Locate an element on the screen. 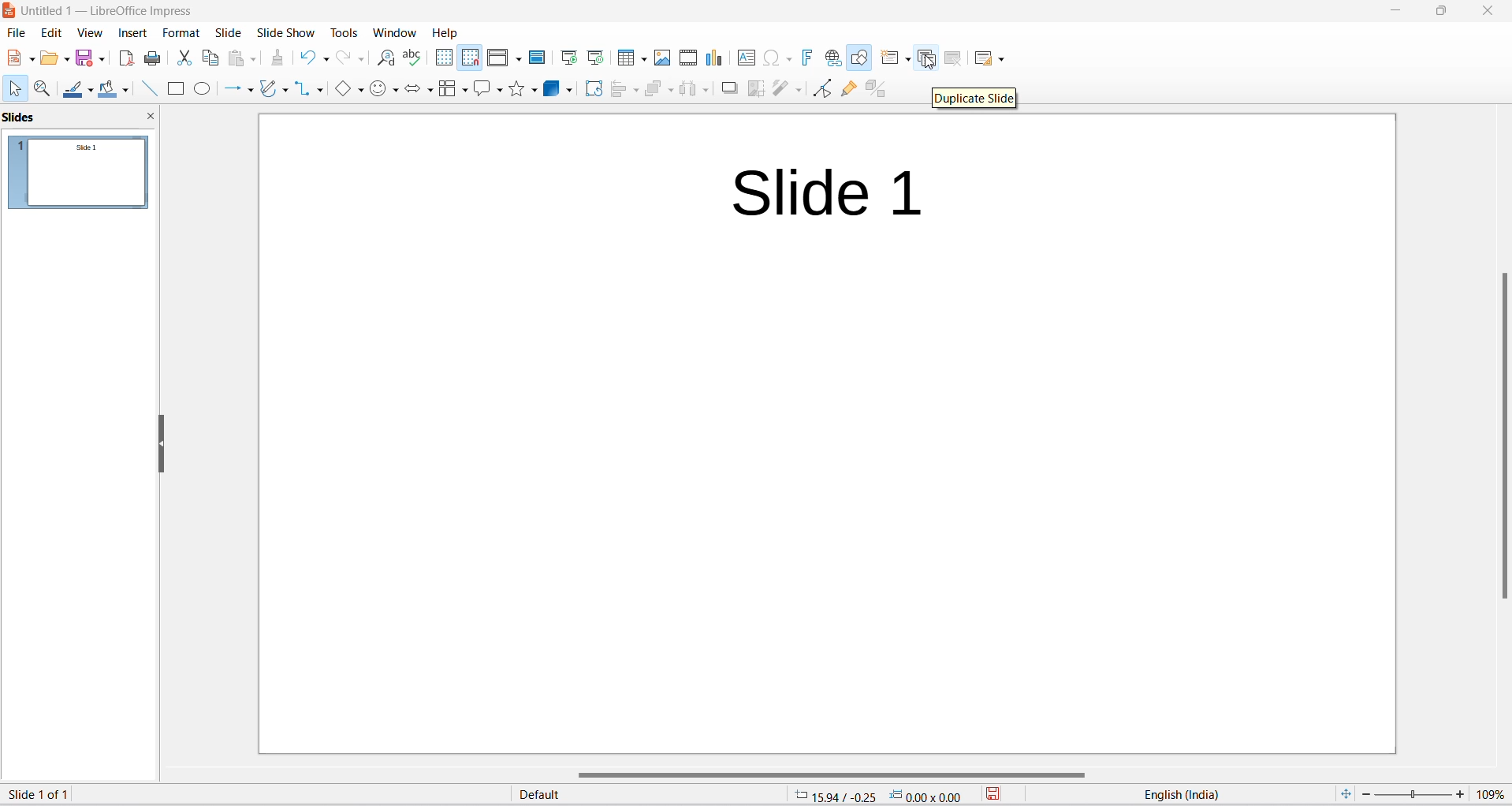 This screenshot has width=1512, height=806. paste is located at coordinates (243, 61).